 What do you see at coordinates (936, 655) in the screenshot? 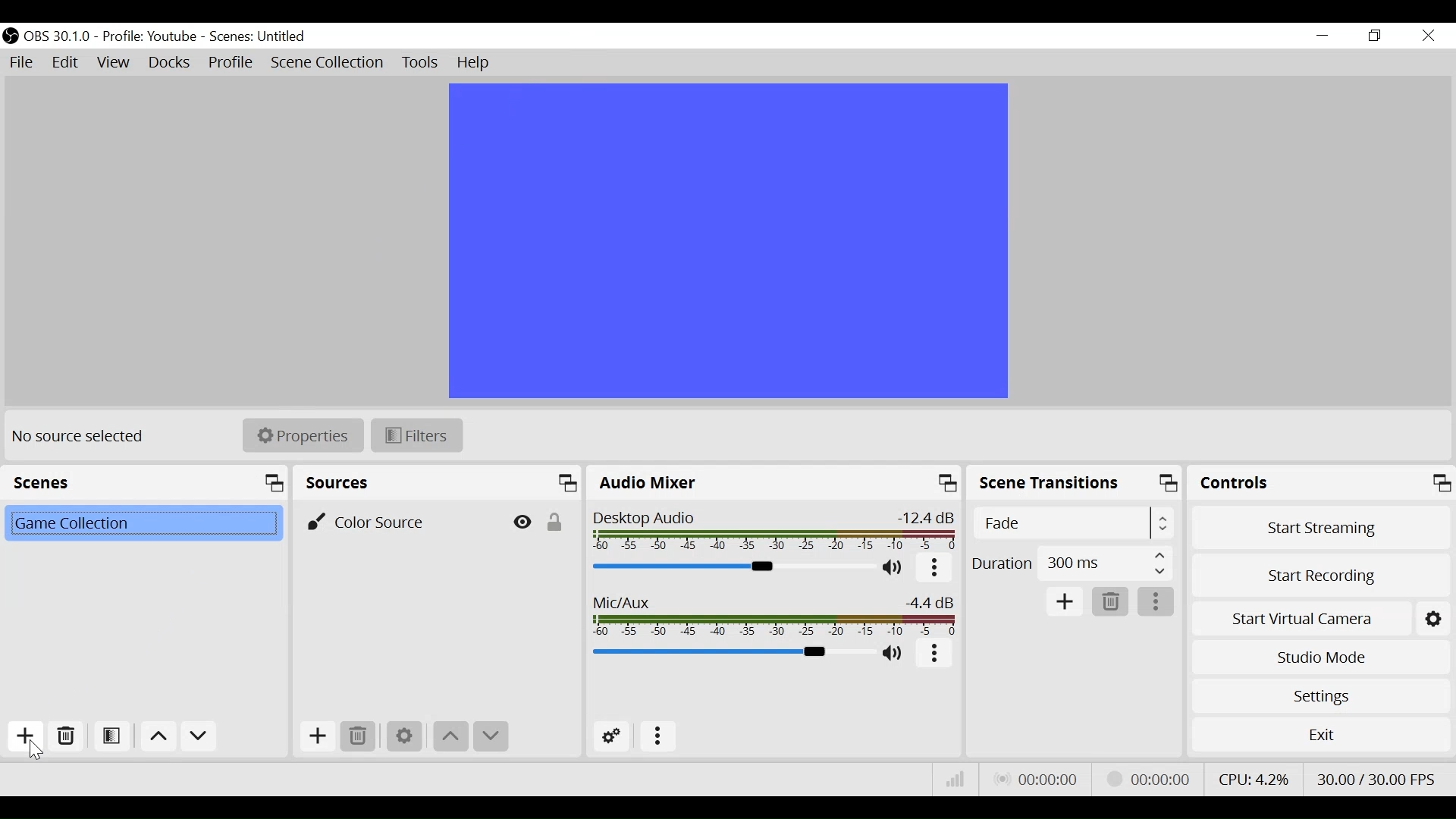
I see `more options` at bounding box center [936, 655].